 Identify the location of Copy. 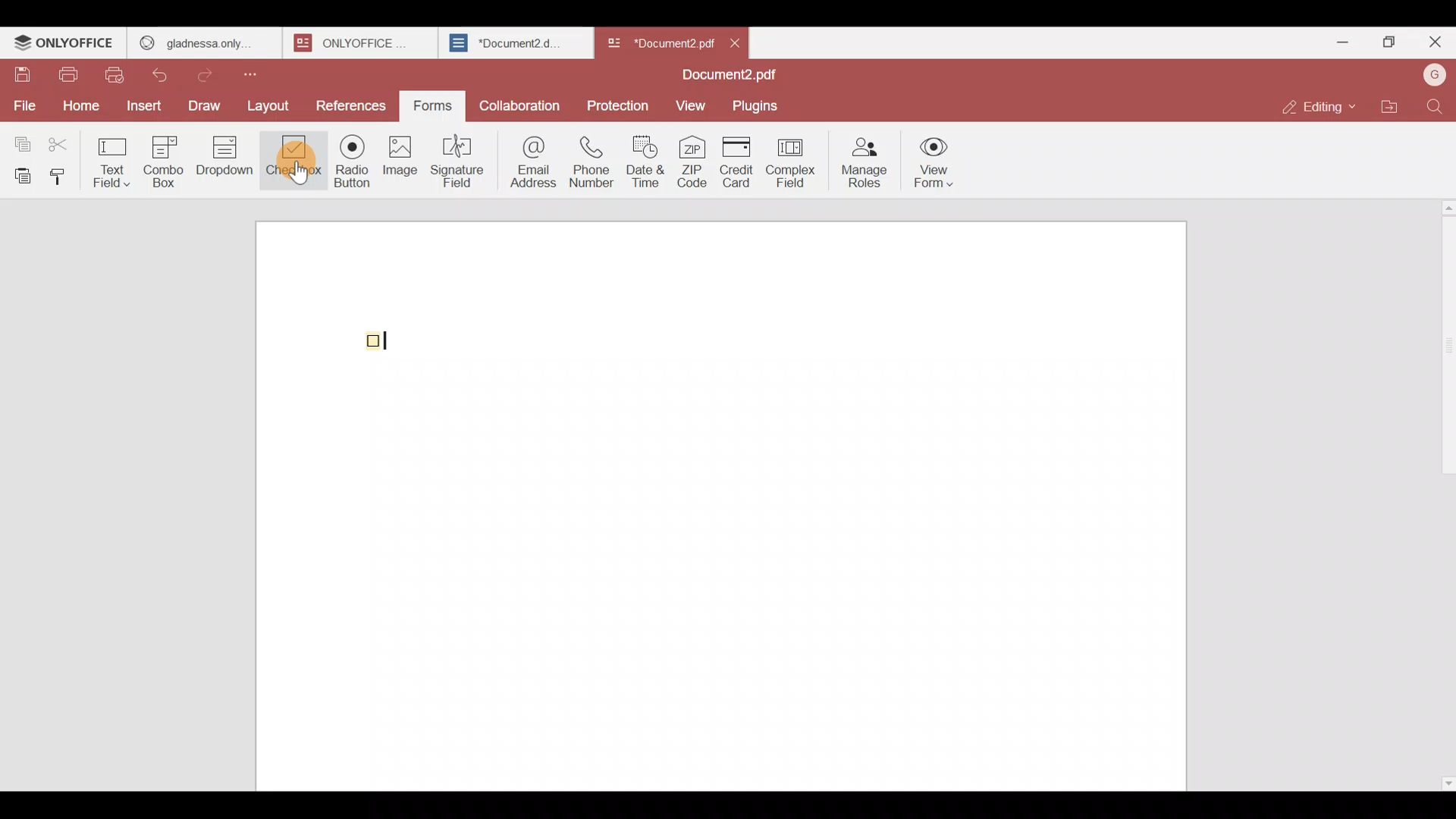
(20, 140).